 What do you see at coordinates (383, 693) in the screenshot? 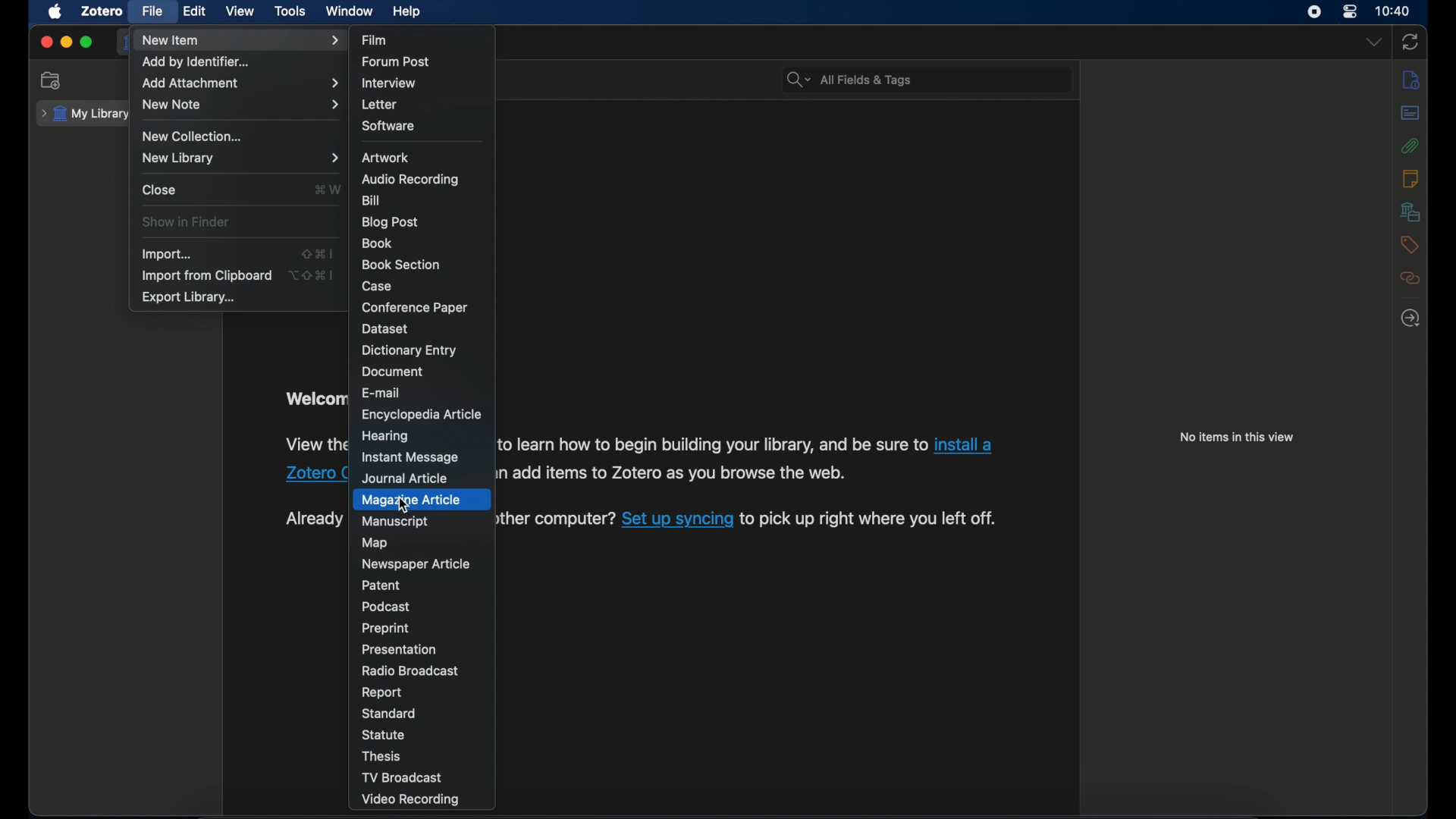
I see `report` at bounding box center [383, 693].